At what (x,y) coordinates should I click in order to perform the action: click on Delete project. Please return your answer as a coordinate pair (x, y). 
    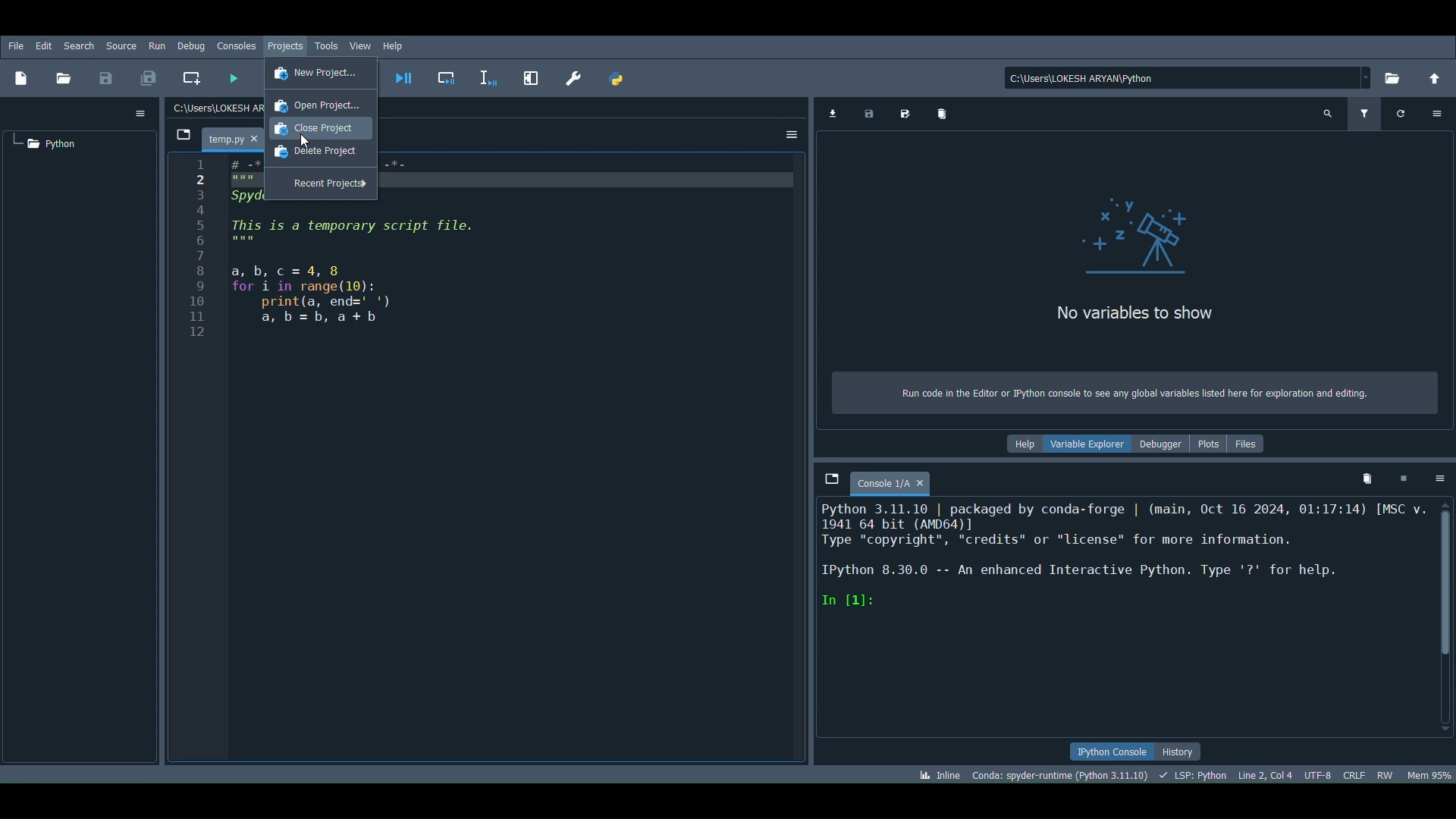
    Looking at the image, I should click on (313, 155).